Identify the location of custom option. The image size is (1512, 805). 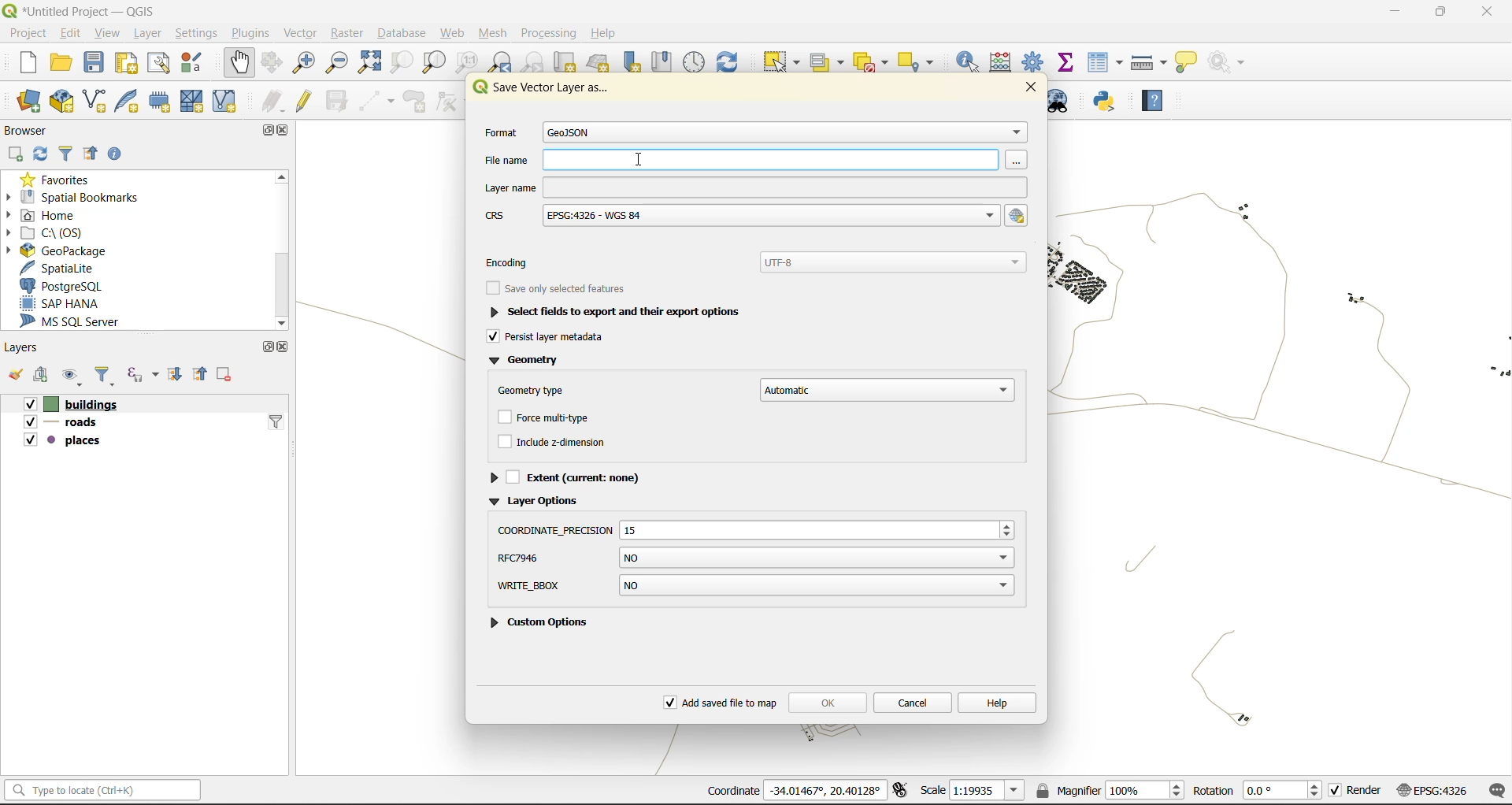
(547, 625).